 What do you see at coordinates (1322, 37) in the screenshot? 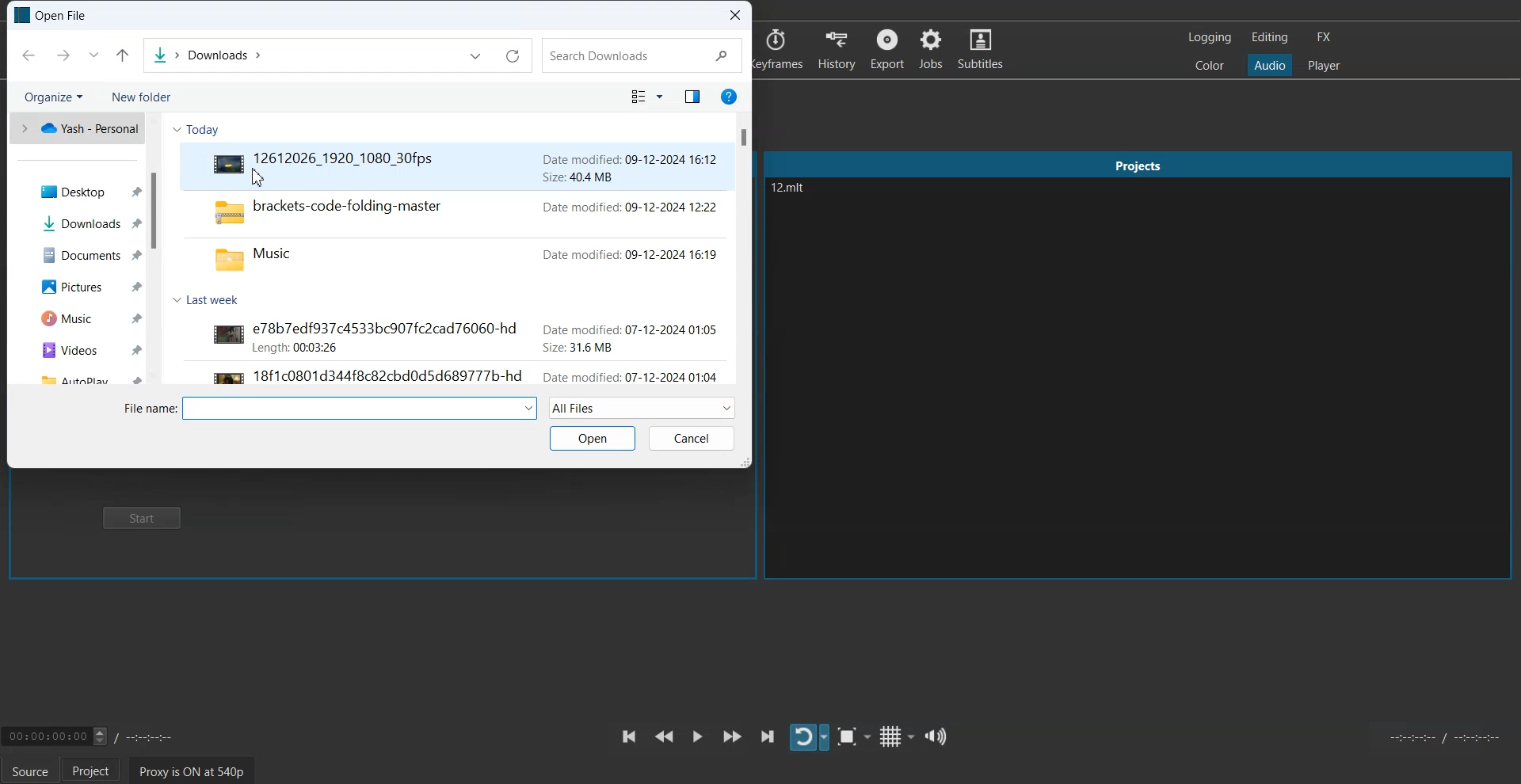
I see `FX` at bounding box center [1322, 37].